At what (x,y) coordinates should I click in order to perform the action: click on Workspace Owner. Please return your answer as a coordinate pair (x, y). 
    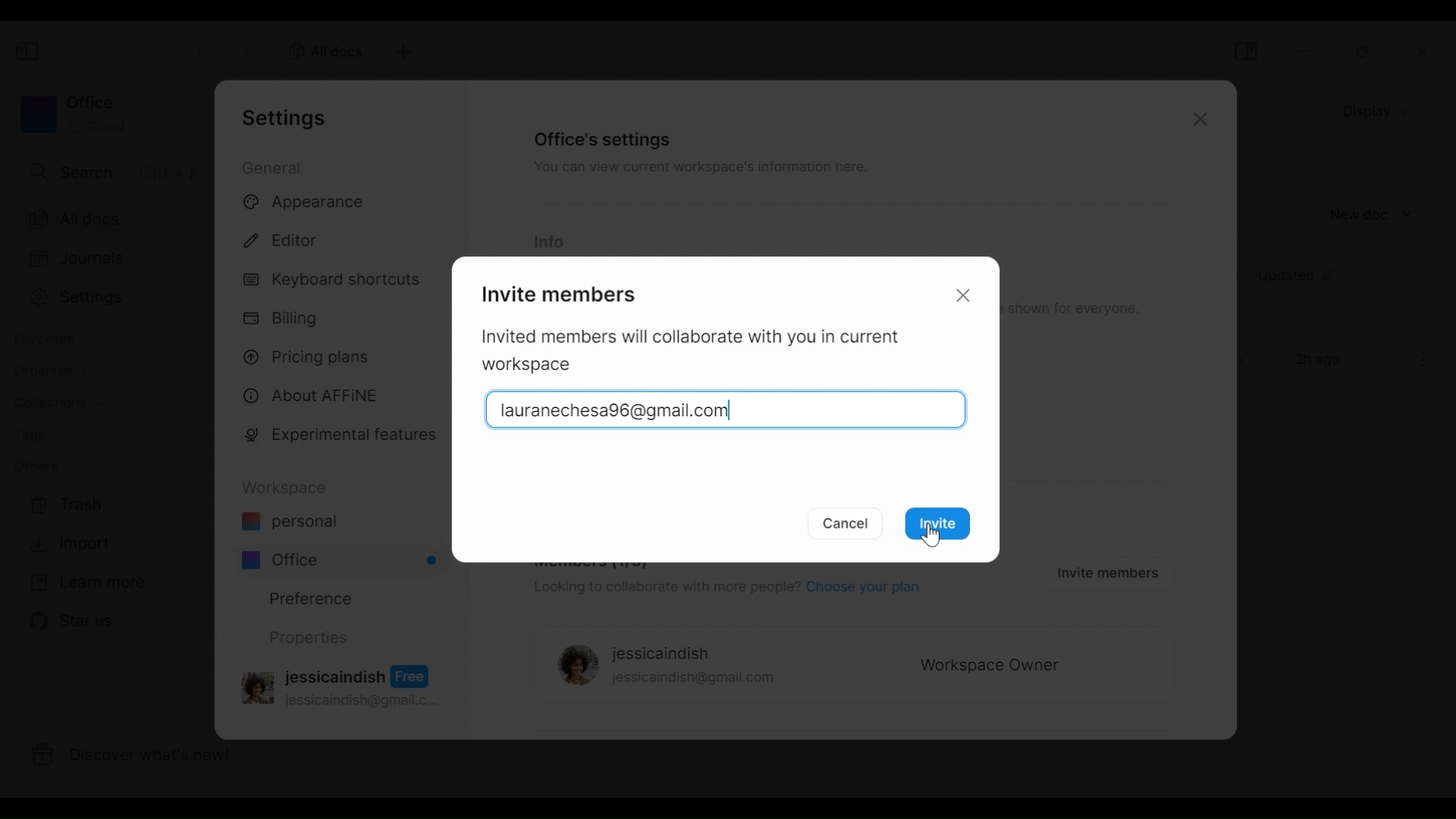
    Looking at the image, I should click on (990, 667).